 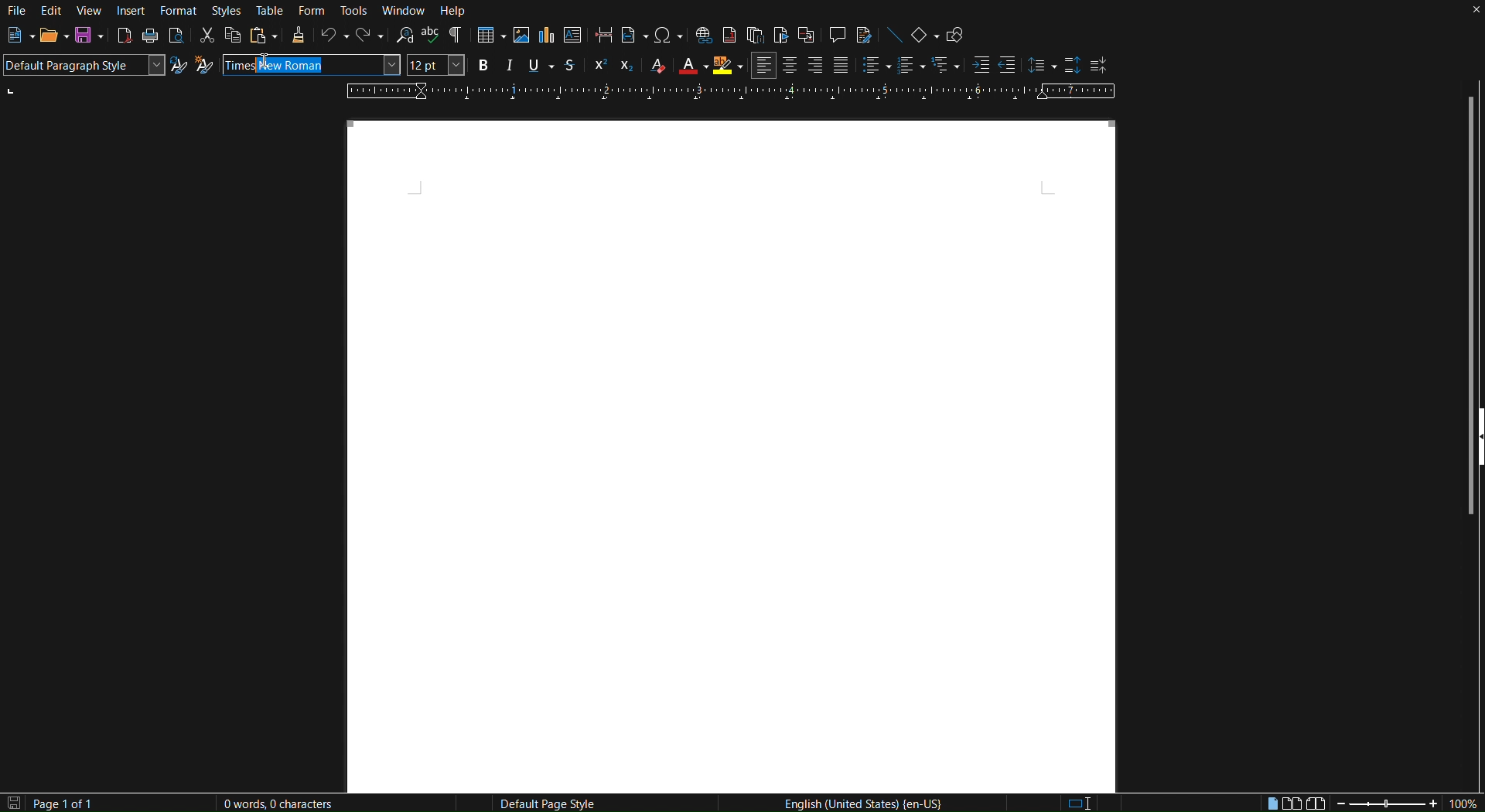 What do you see at coordinates (14, 37) in the screenshot?
I see `New` at bounding box center [14, 37].